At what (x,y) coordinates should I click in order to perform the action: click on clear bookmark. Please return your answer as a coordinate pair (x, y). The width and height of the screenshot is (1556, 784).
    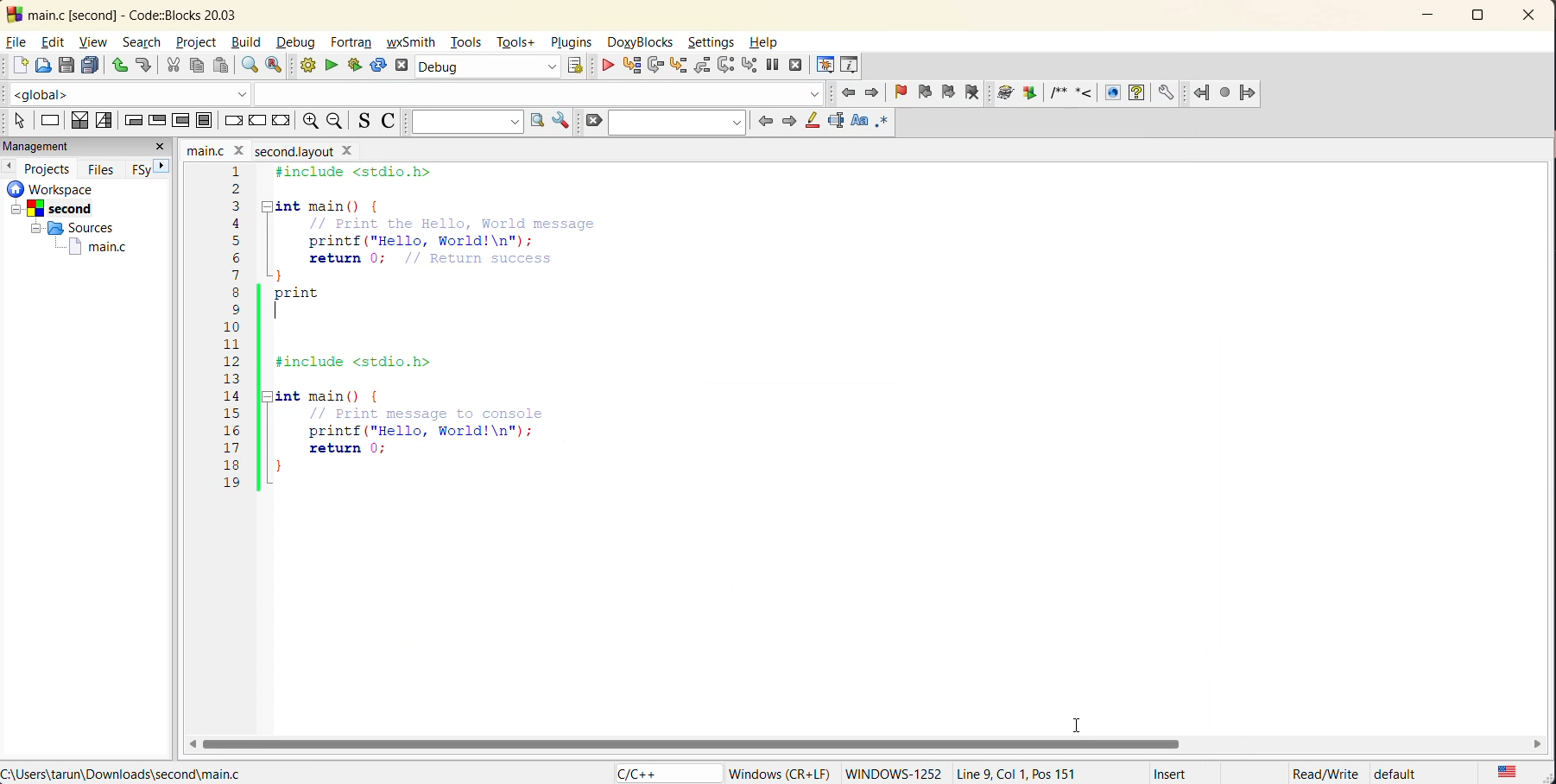
    Looking at the image, I should click on (977, 95).